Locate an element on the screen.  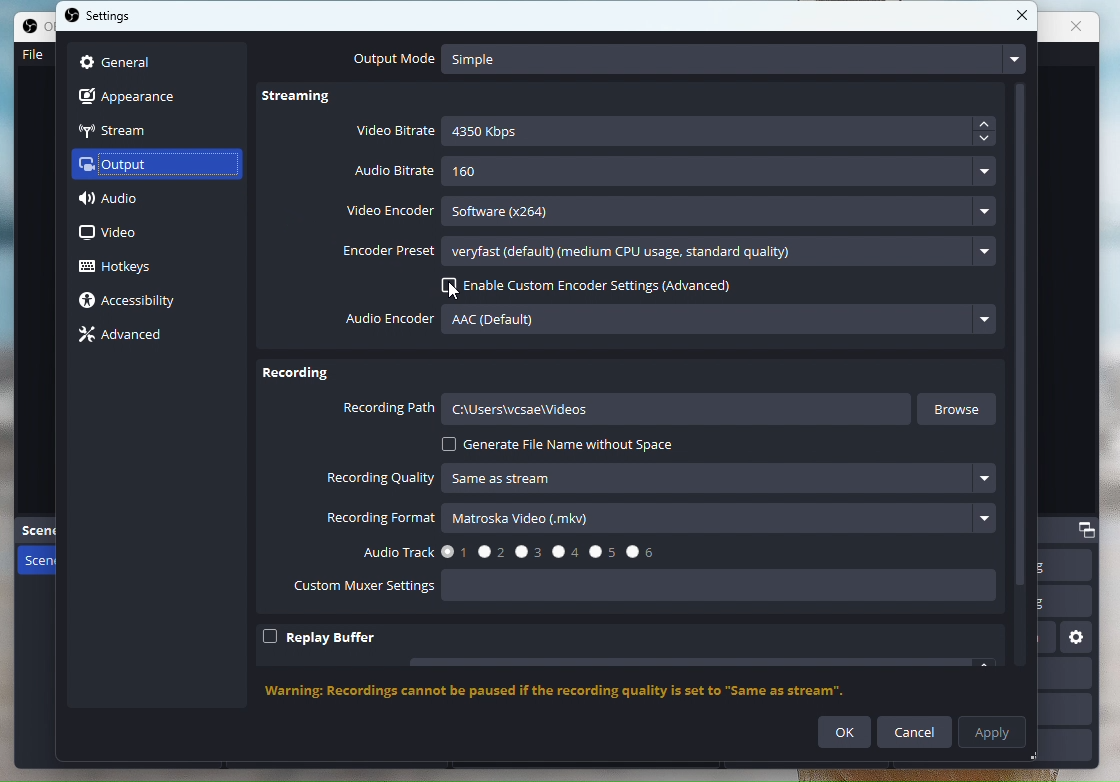
Audio is located at coordinates (131, 202).